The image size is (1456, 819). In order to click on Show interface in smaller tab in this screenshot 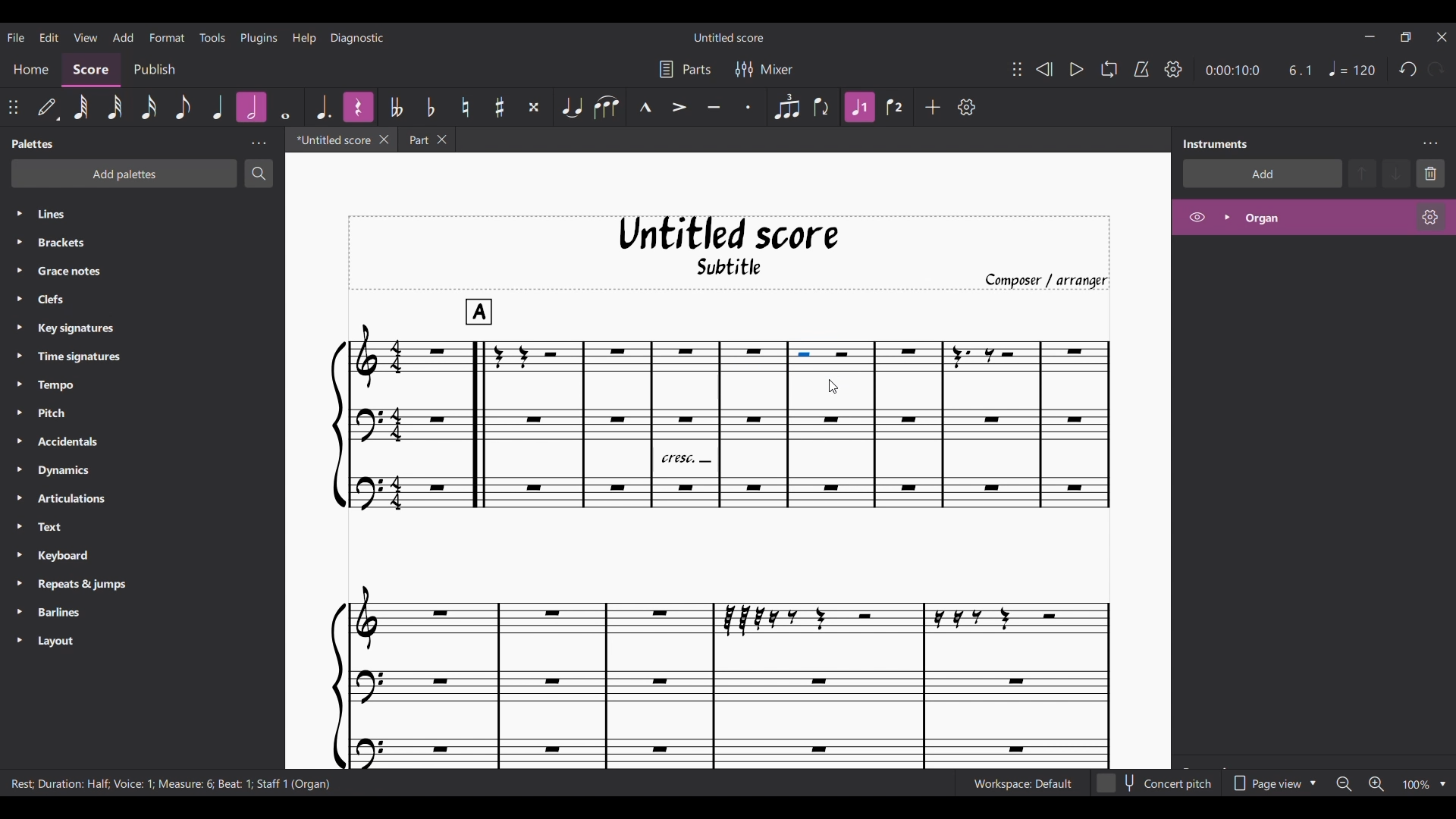, I will do `click(1406, 37)`.